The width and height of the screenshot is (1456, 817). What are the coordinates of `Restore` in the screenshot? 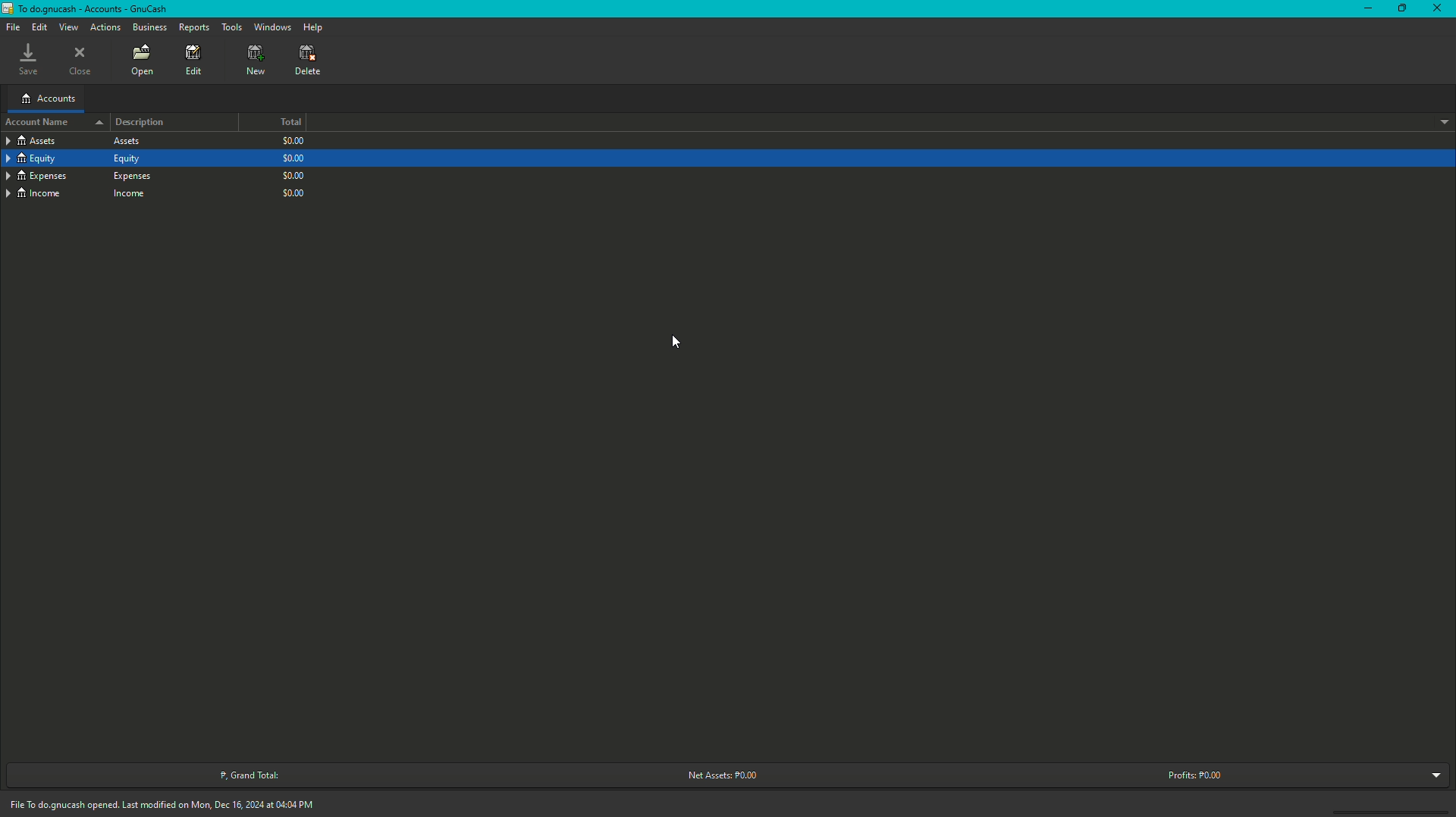 It's located at (1401, 8).